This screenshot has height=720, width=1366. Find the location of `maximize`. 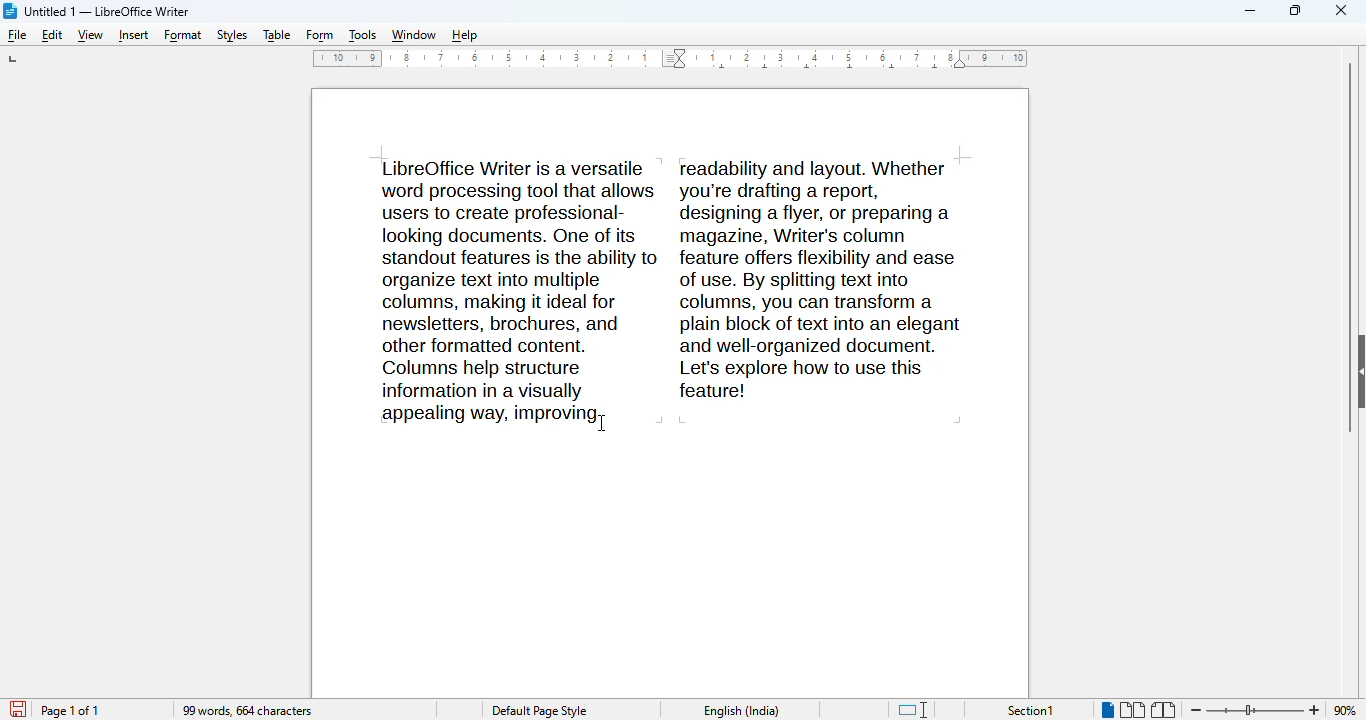

maximize is located at coordinates (1295, 10).